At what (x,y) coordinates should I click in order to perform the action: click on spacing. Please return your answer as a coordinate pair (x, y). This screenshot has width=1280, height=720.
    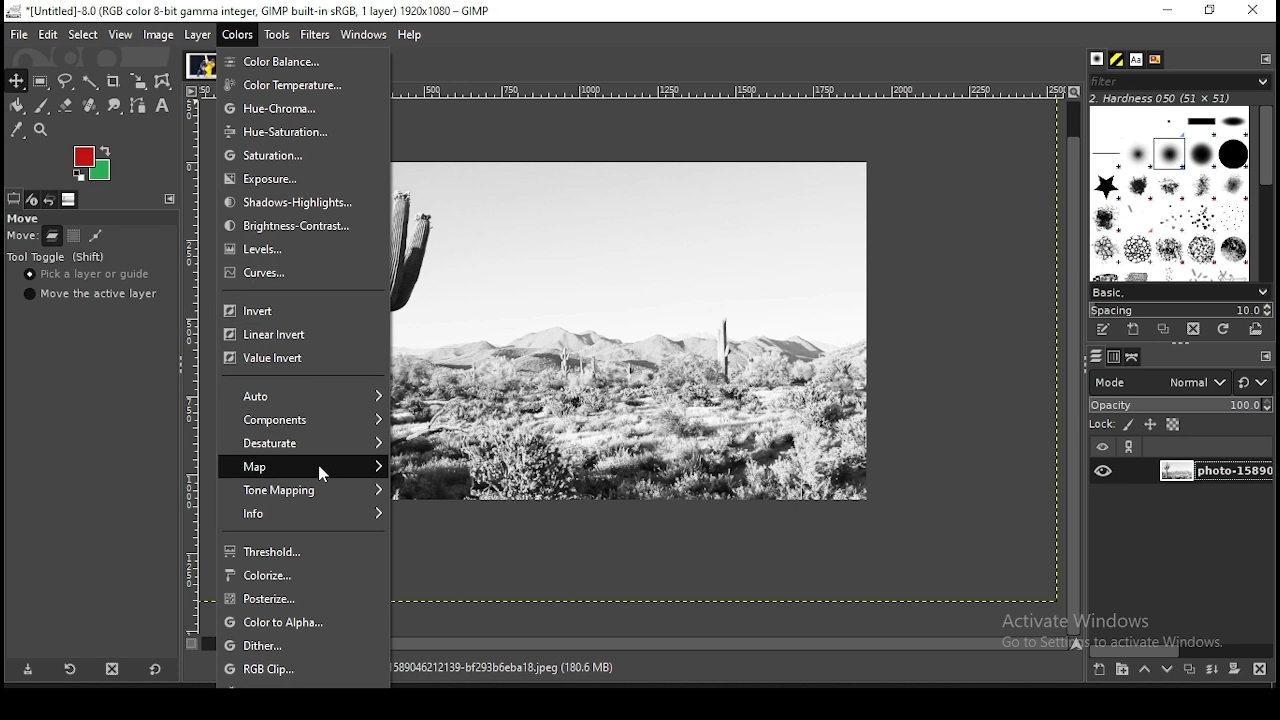
    Looking at the image, I should click on (1180, 310).